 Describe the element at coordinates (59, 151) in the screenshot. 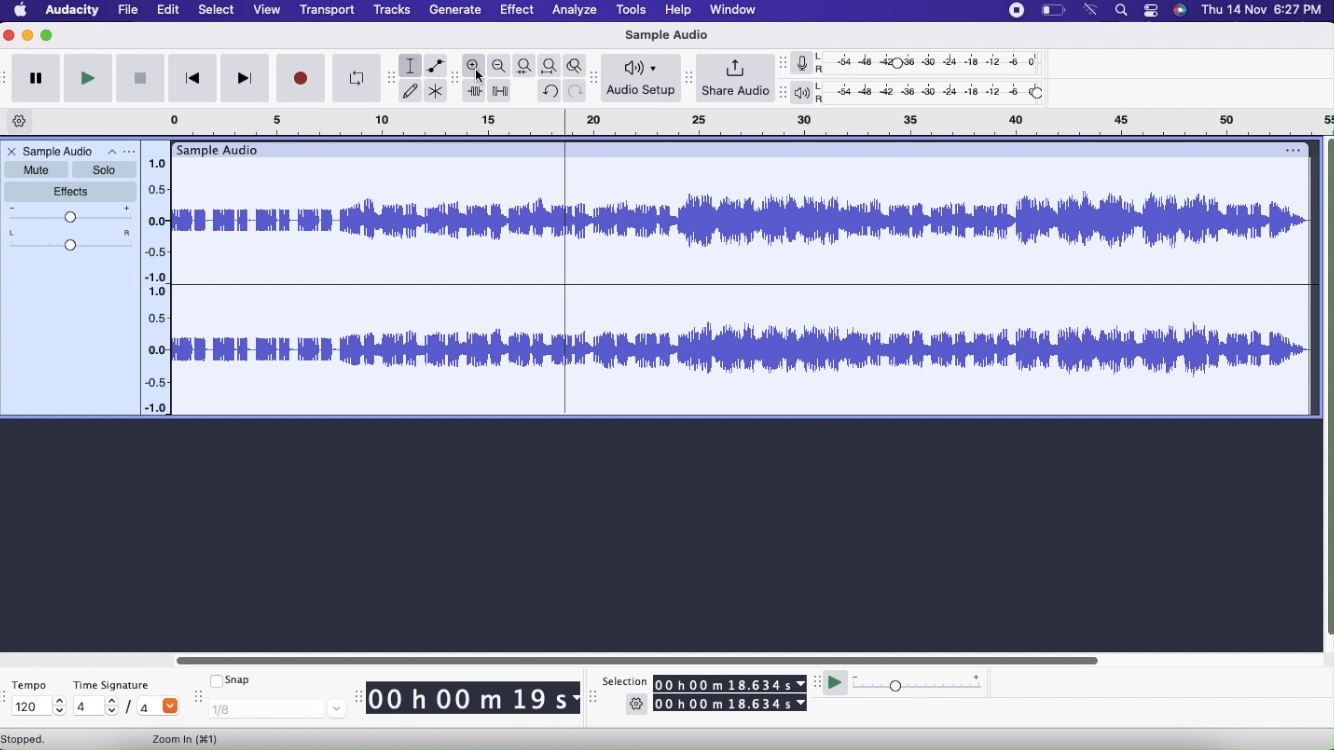

I see `Sample Audio` at that location.